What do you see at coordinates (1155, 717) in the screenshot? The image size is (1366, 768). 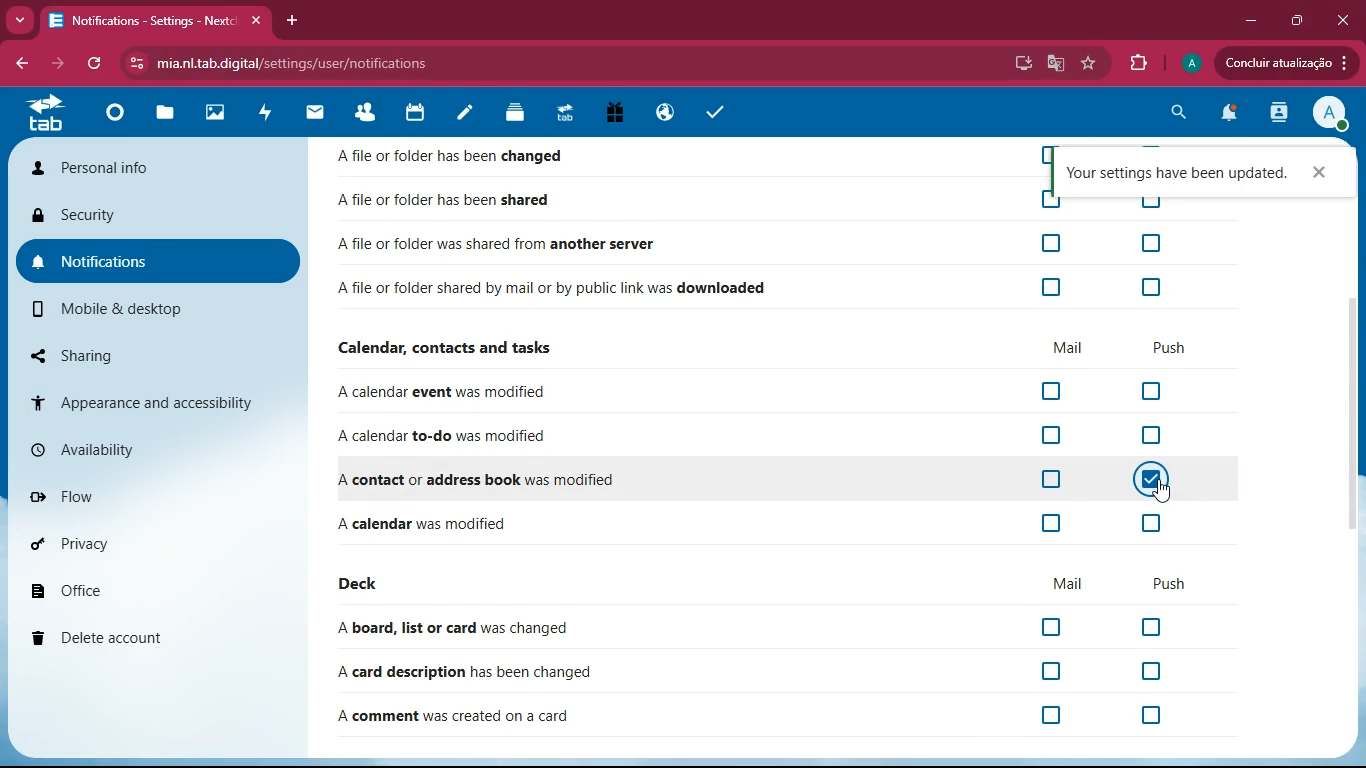 I see `off` at bounding box center [1155, 717].